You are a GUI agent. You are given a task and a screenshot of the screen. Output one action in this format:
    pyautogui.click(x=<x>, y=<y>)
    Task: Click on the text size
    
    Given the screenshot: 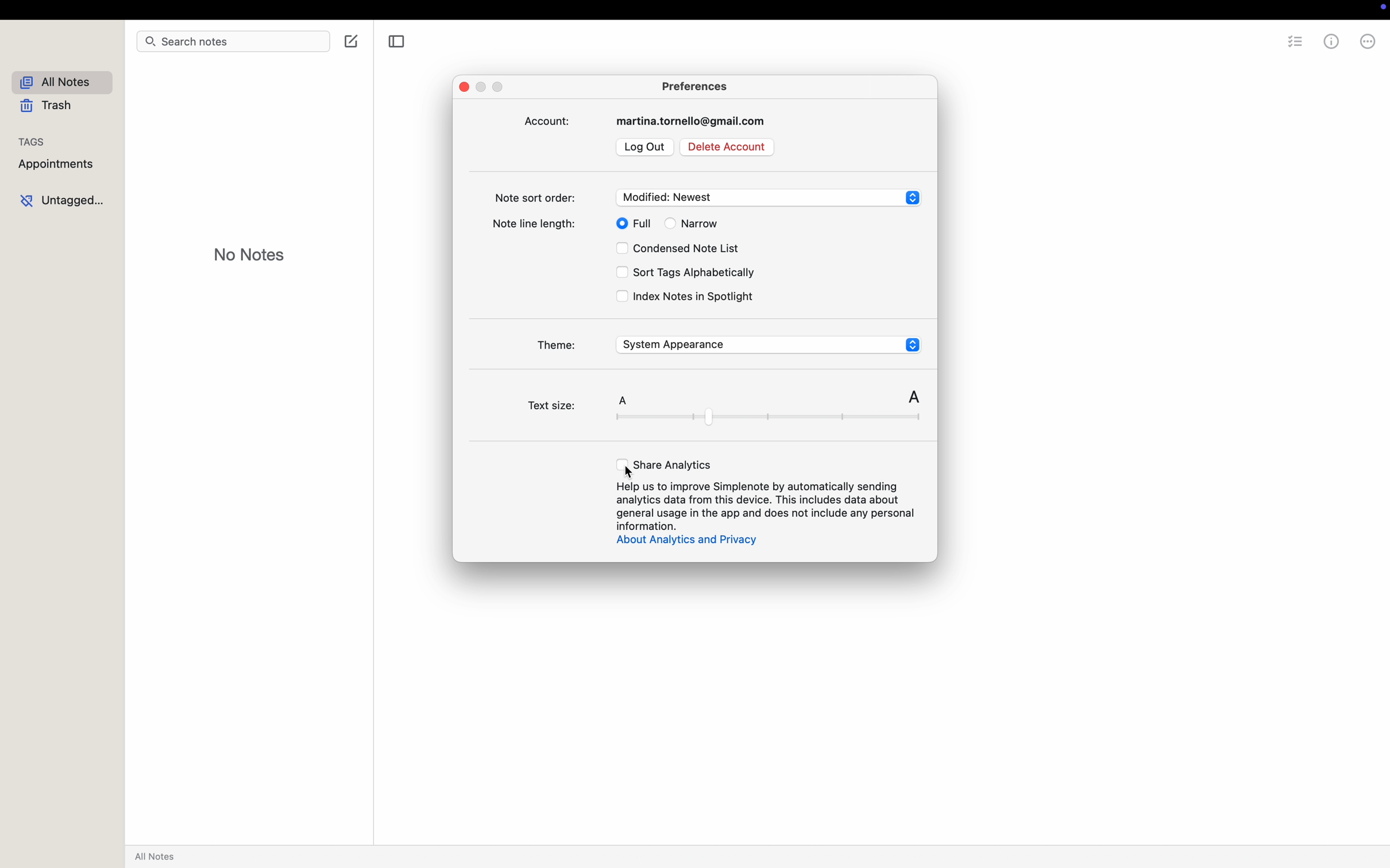 What is the action you would take?
    pyautogui.click(x=723, y=409)
    